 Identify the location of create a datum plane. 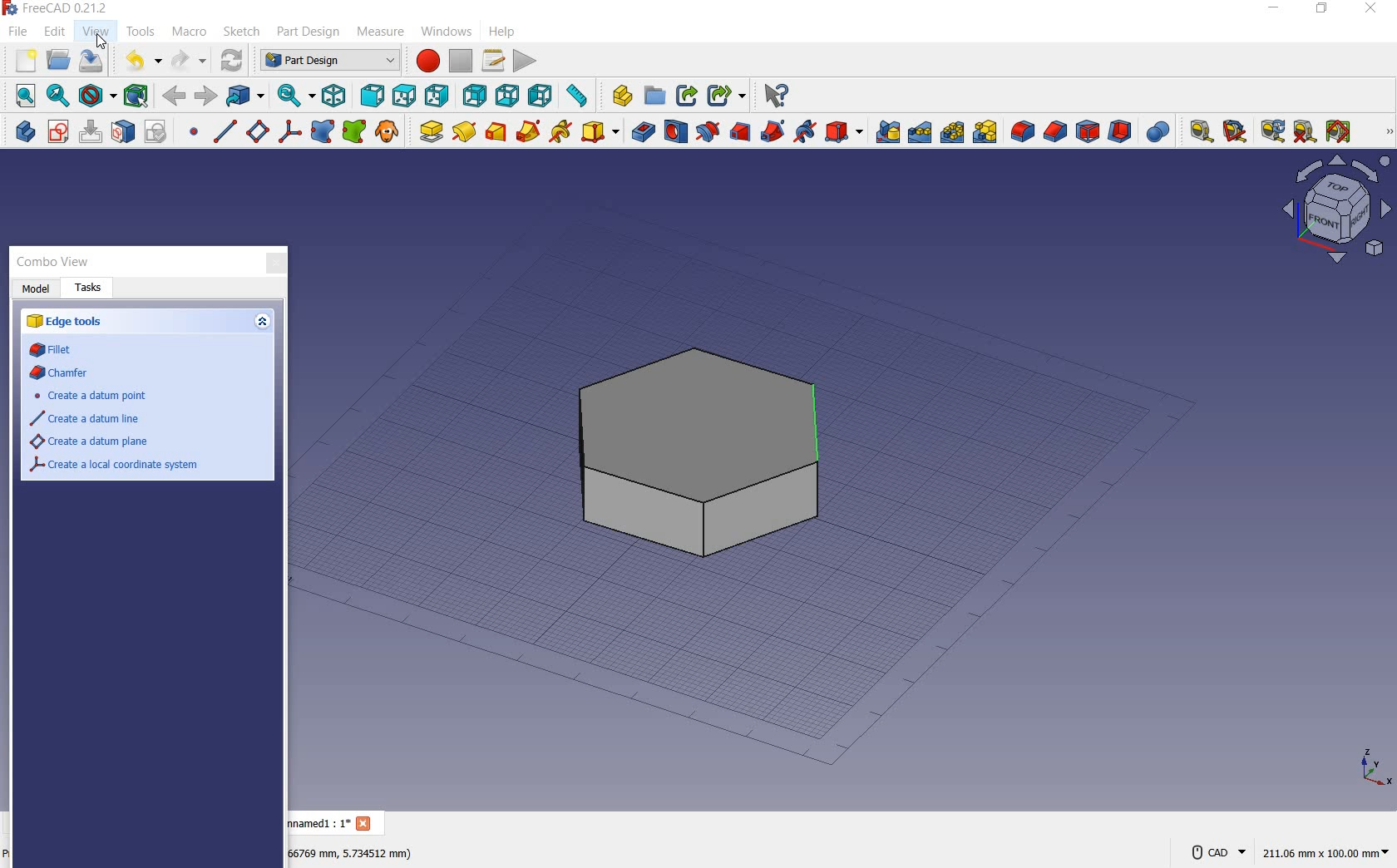
(256, 132).